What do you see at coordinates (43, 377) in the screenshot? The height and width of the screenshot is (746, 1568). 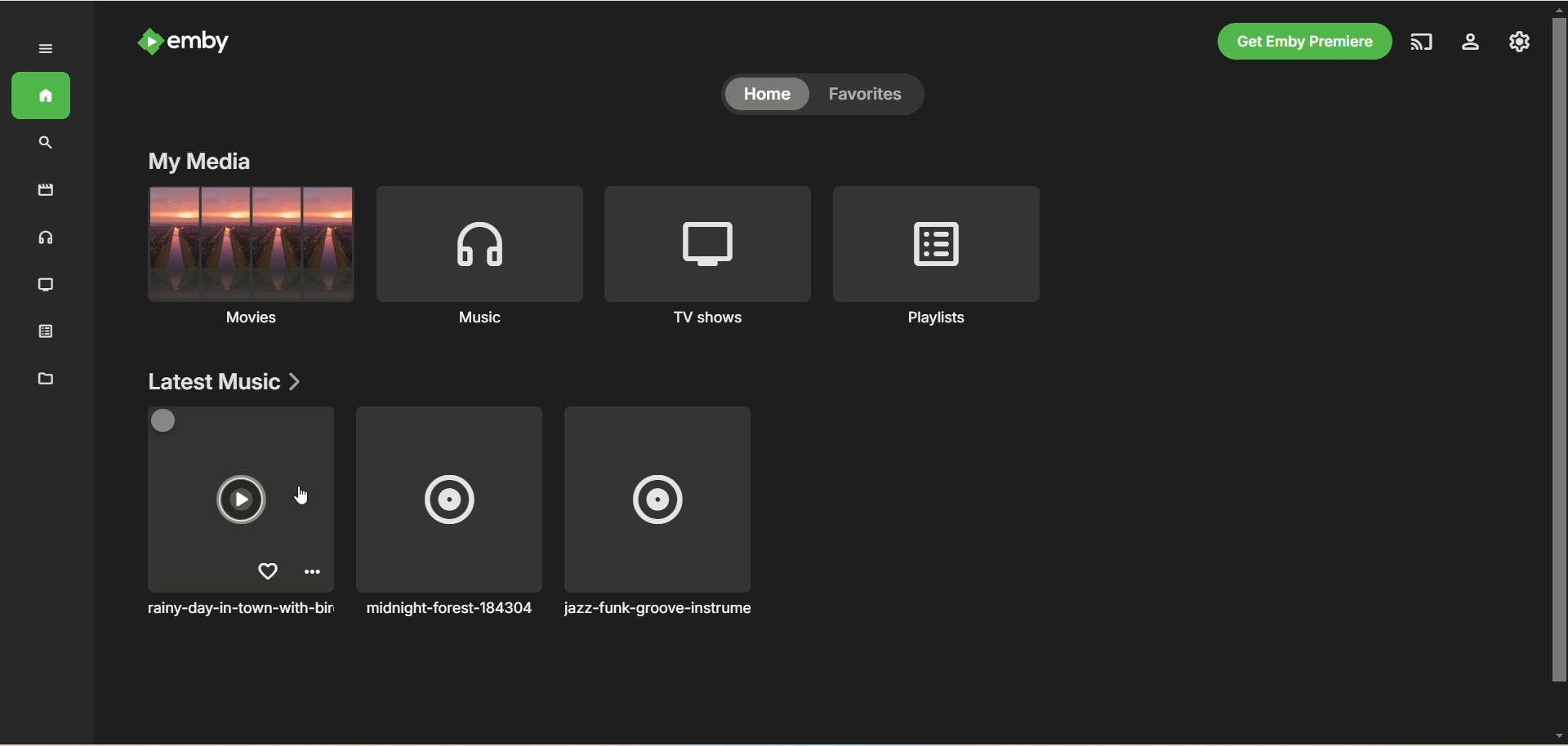 I see `metadata manager` at bounding box center [43, 377].